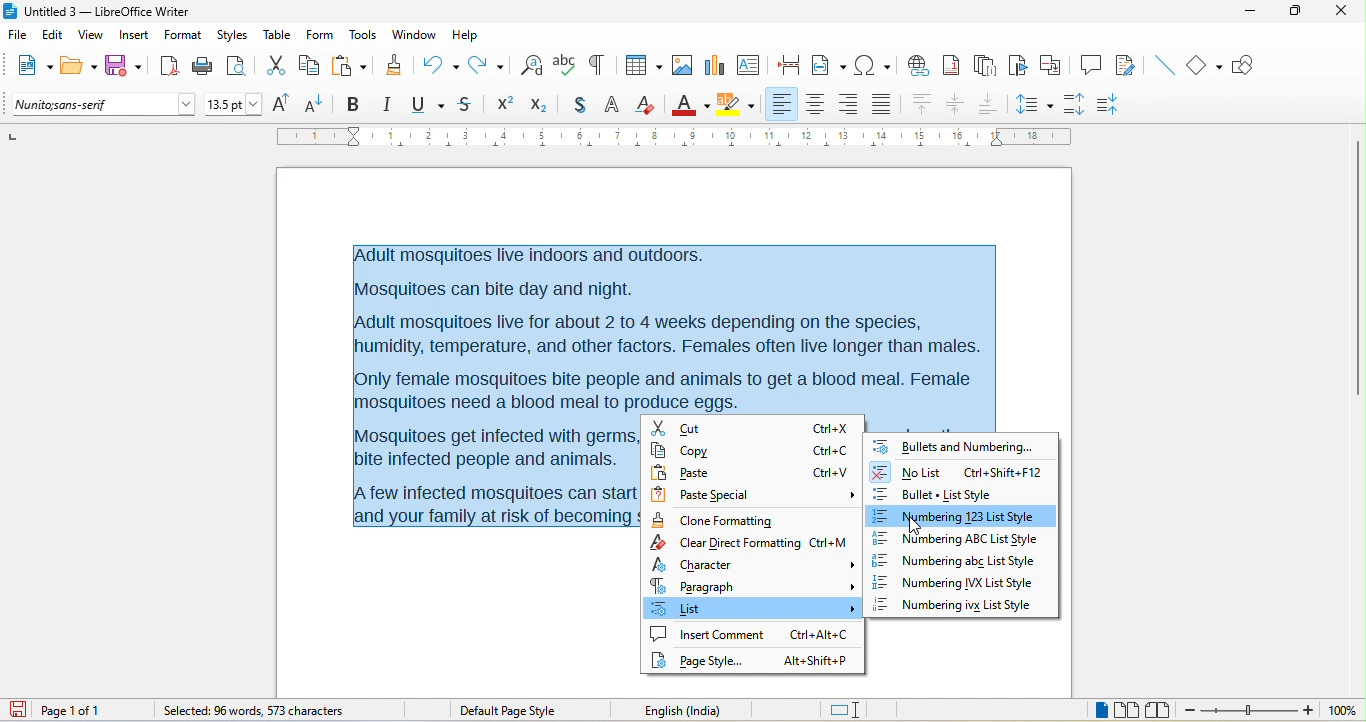 Image resolution: width=1366 pixels, height=722 pixels. What do you see at coordinates (573, 106) in the screenshot?
I see `shadow` at bounding box center [573, 106].